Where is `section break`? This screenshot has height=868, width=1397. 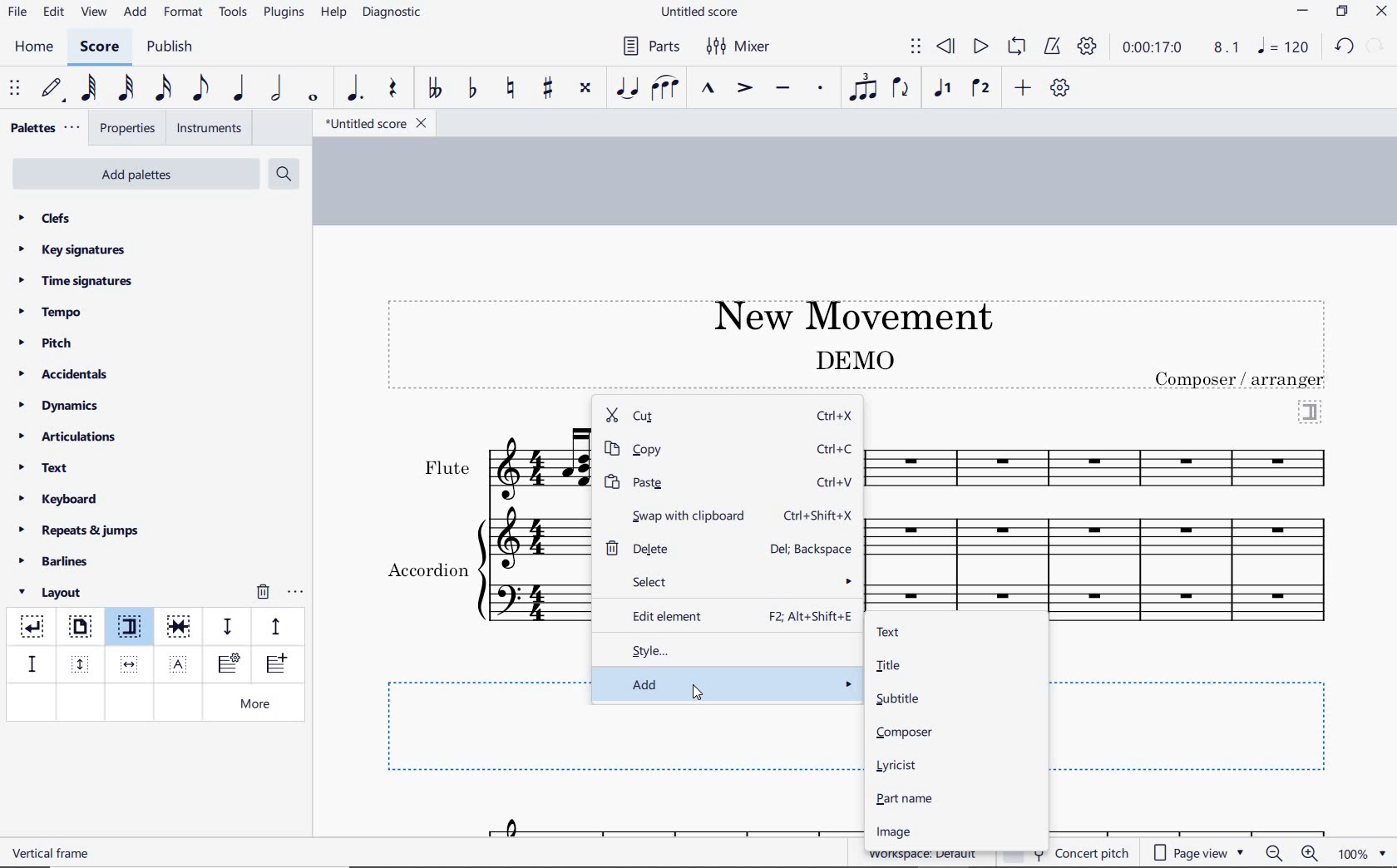 section break is located at coordinates (1311, 410).